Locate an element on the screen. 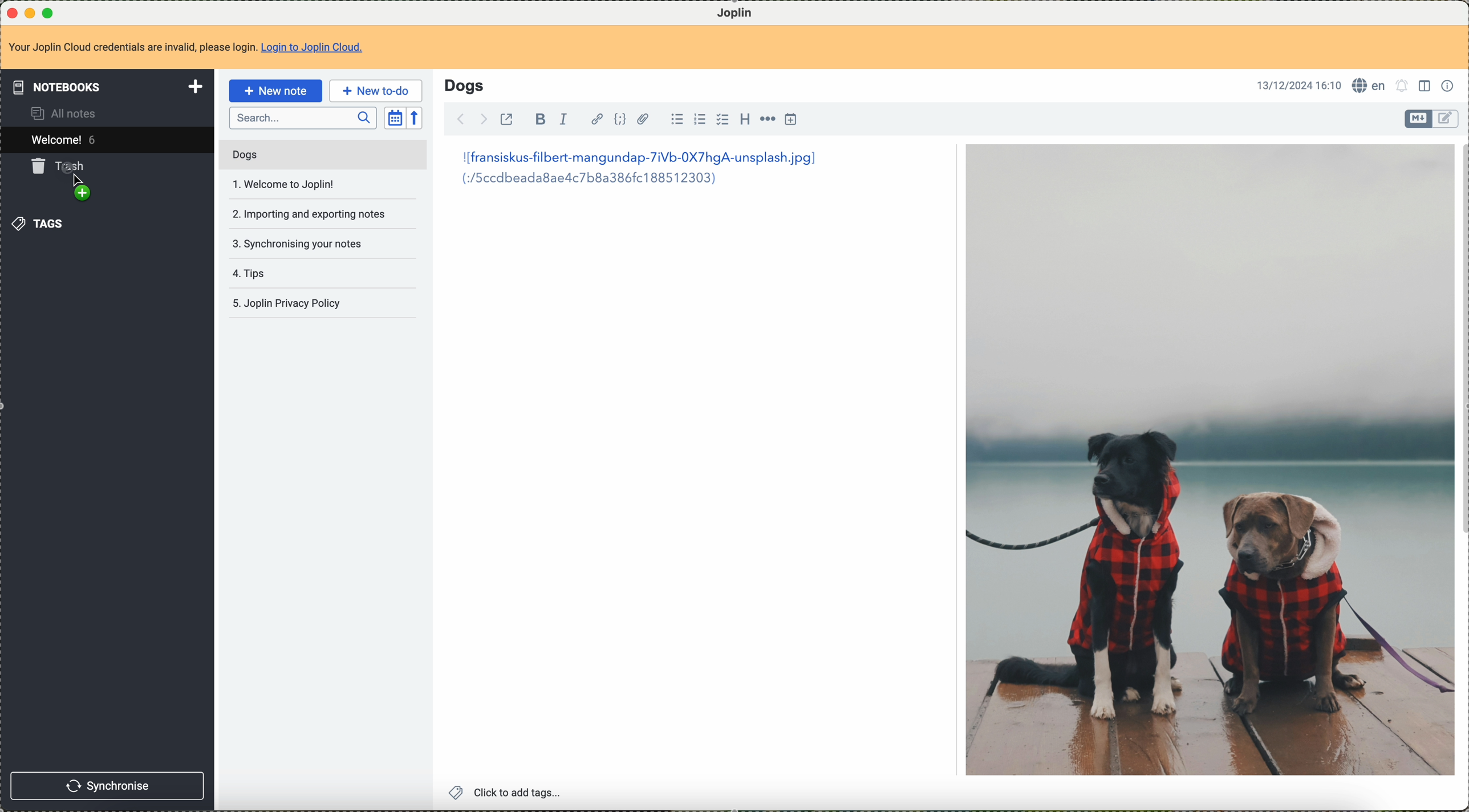 This screenshot has height=812, width=1469. minimize program is located at coordinates (30, 11).